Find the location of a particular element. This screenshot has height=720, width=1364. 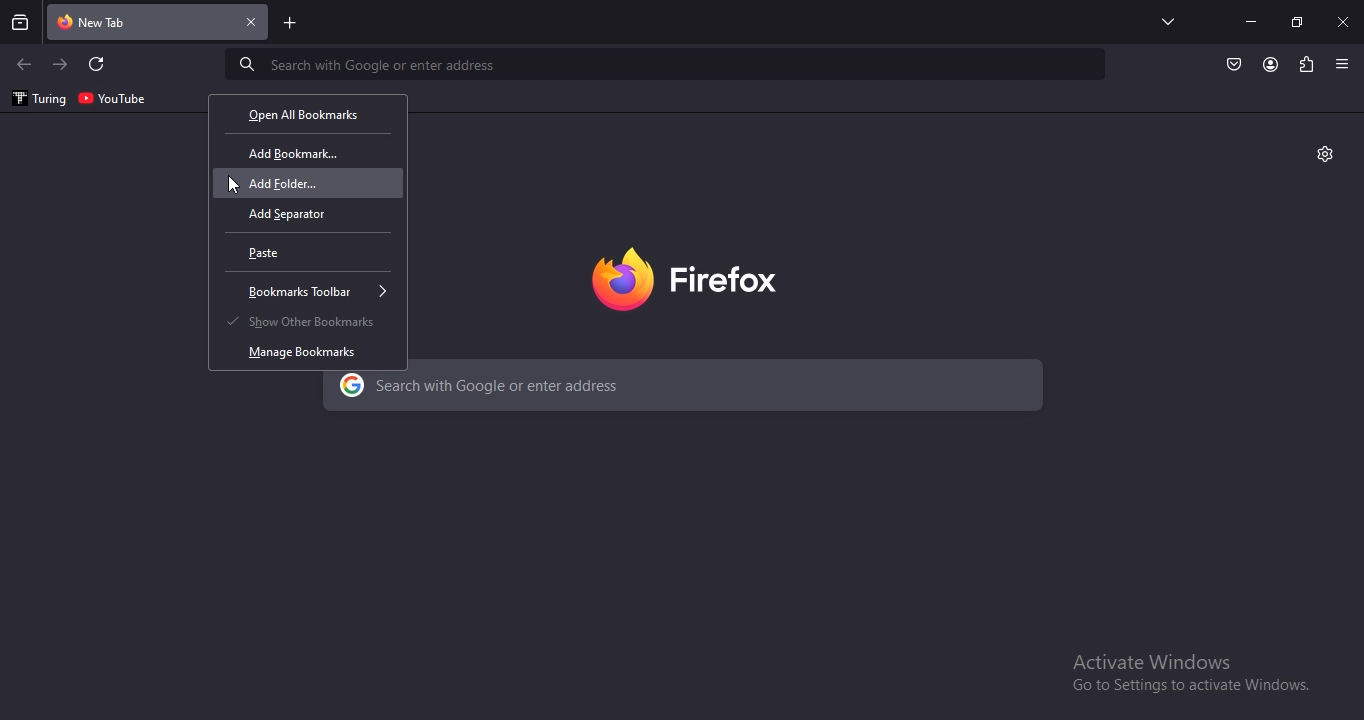

restore windows is located at coordinates (1299, 22).